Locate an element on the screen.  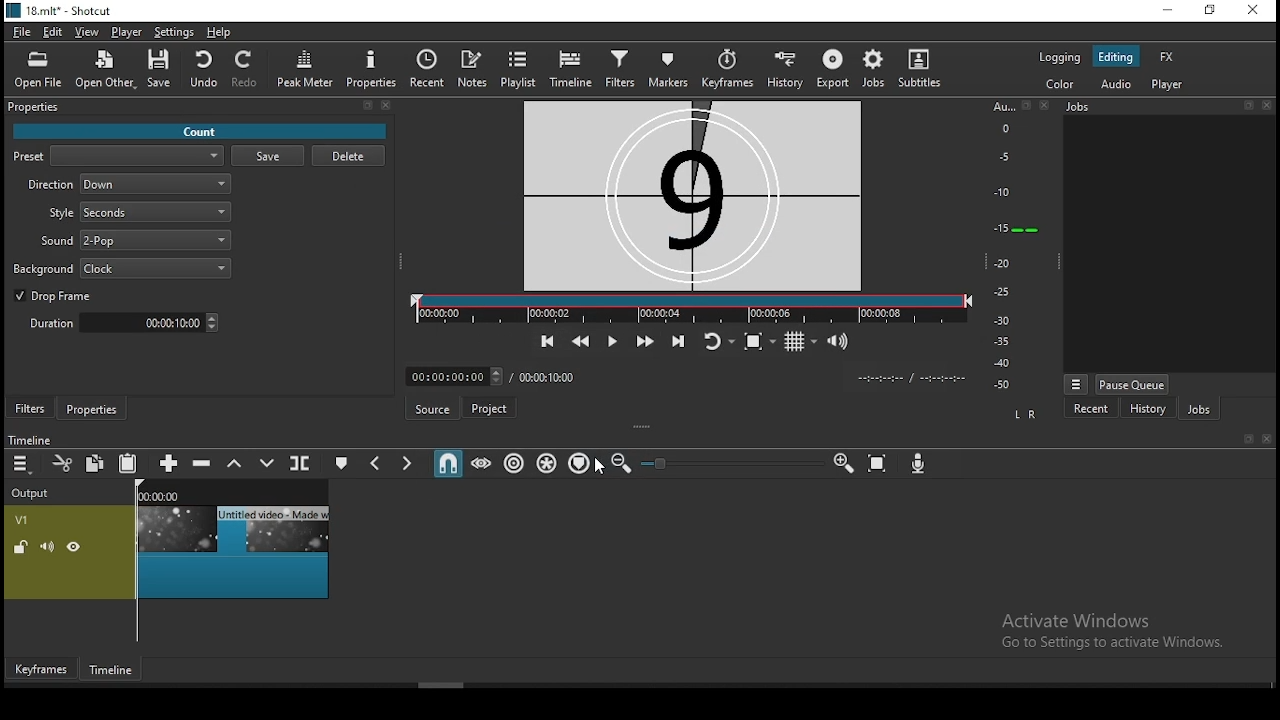
Close is located at coordinates (1270, 439).